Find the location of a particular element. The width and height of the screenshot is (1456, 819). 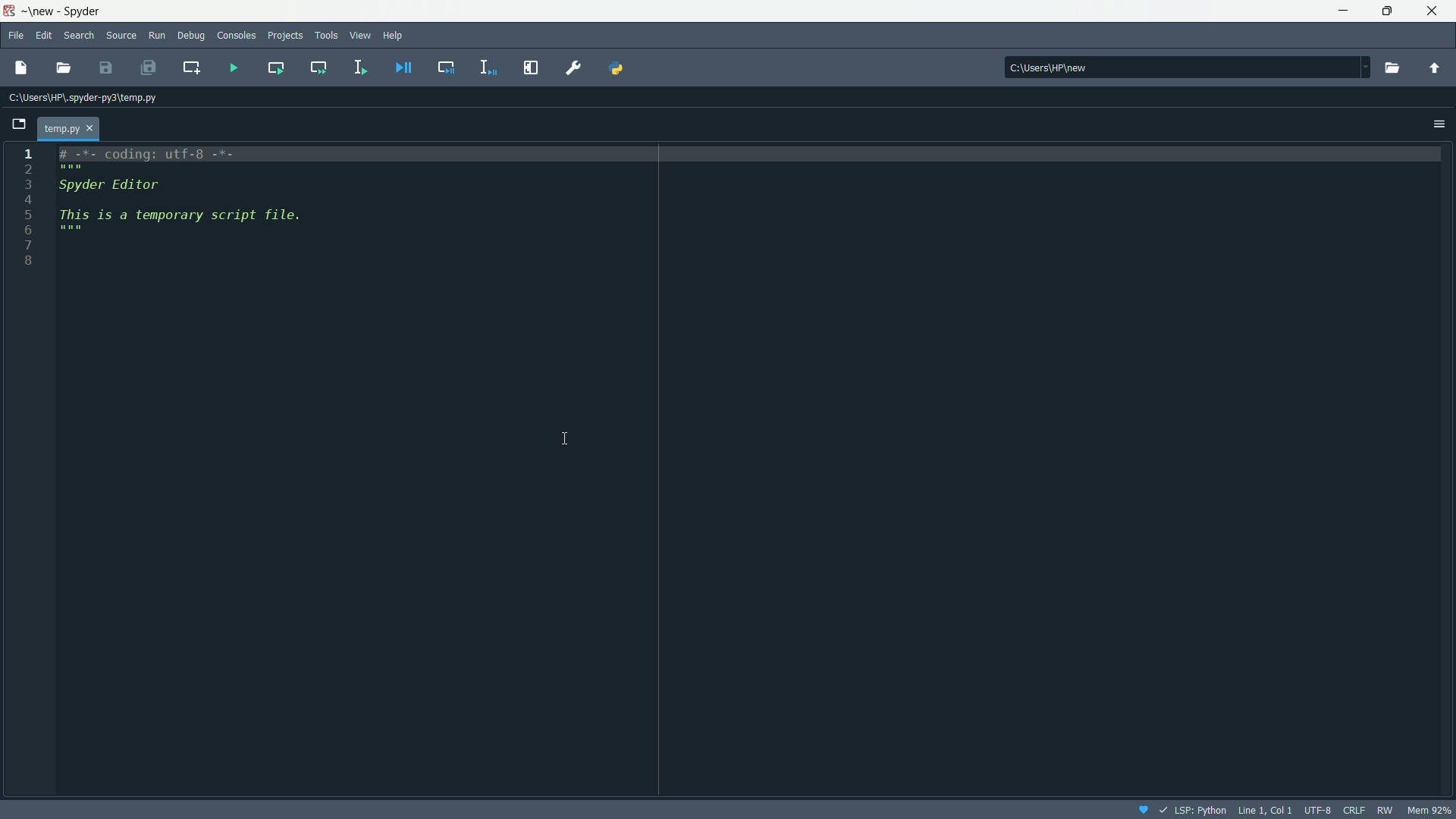

file eol status is located at coordinates (1354, 808).